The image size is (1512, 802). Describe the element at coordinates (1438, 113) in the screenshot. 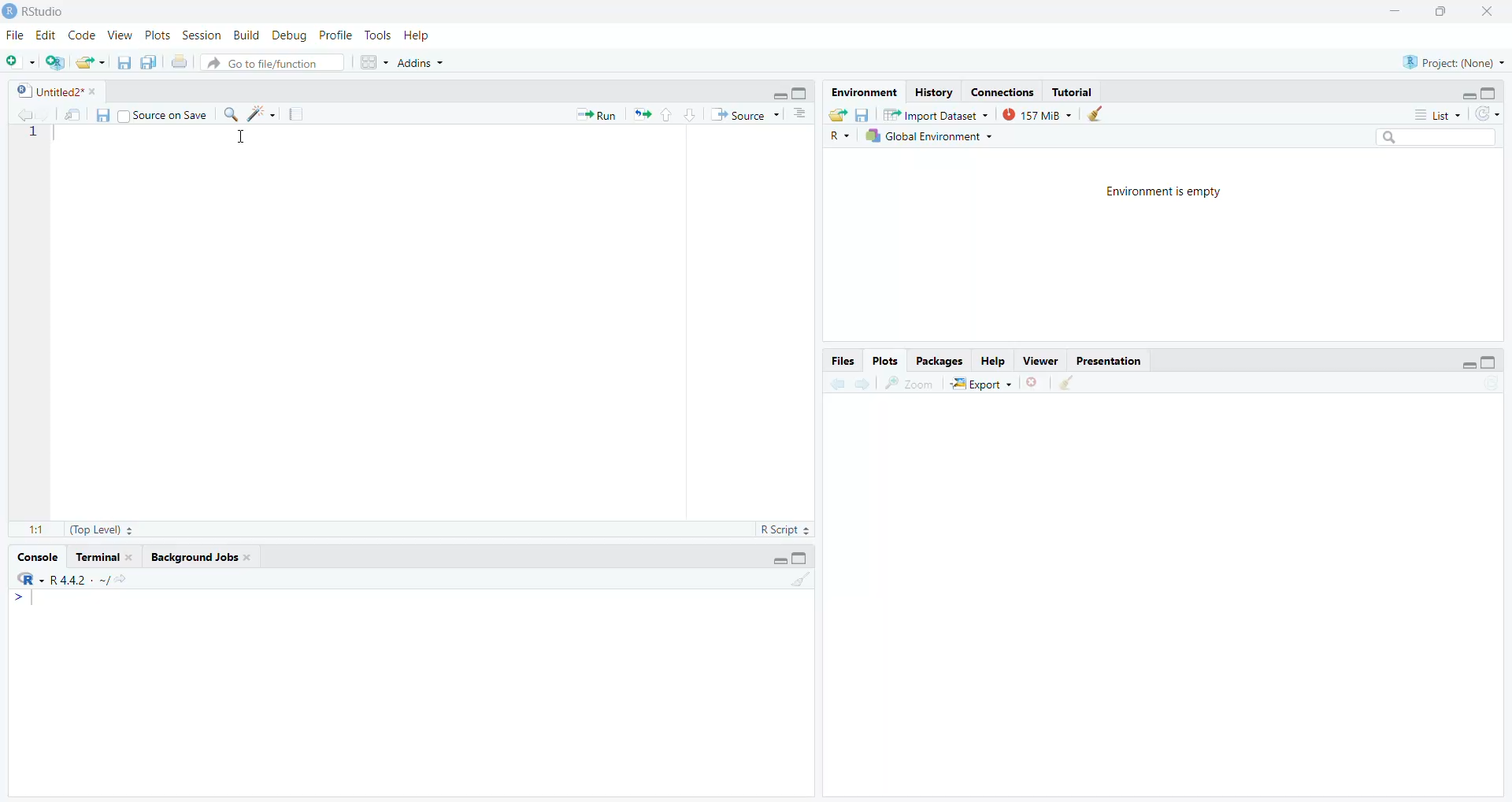

I see `list` at that location.